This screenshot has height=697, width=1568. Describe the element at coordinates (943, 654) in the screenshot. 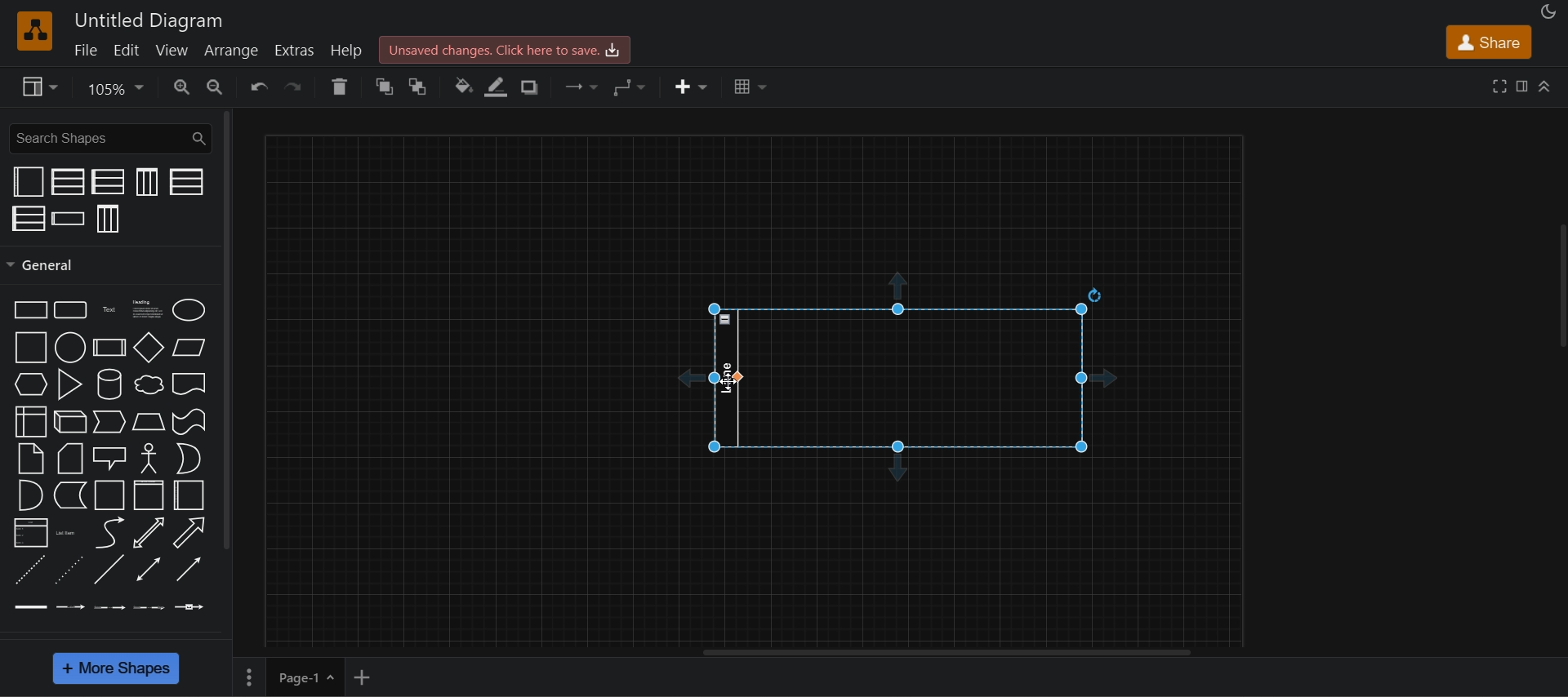

I see `horizontal scroll bar` at that location.